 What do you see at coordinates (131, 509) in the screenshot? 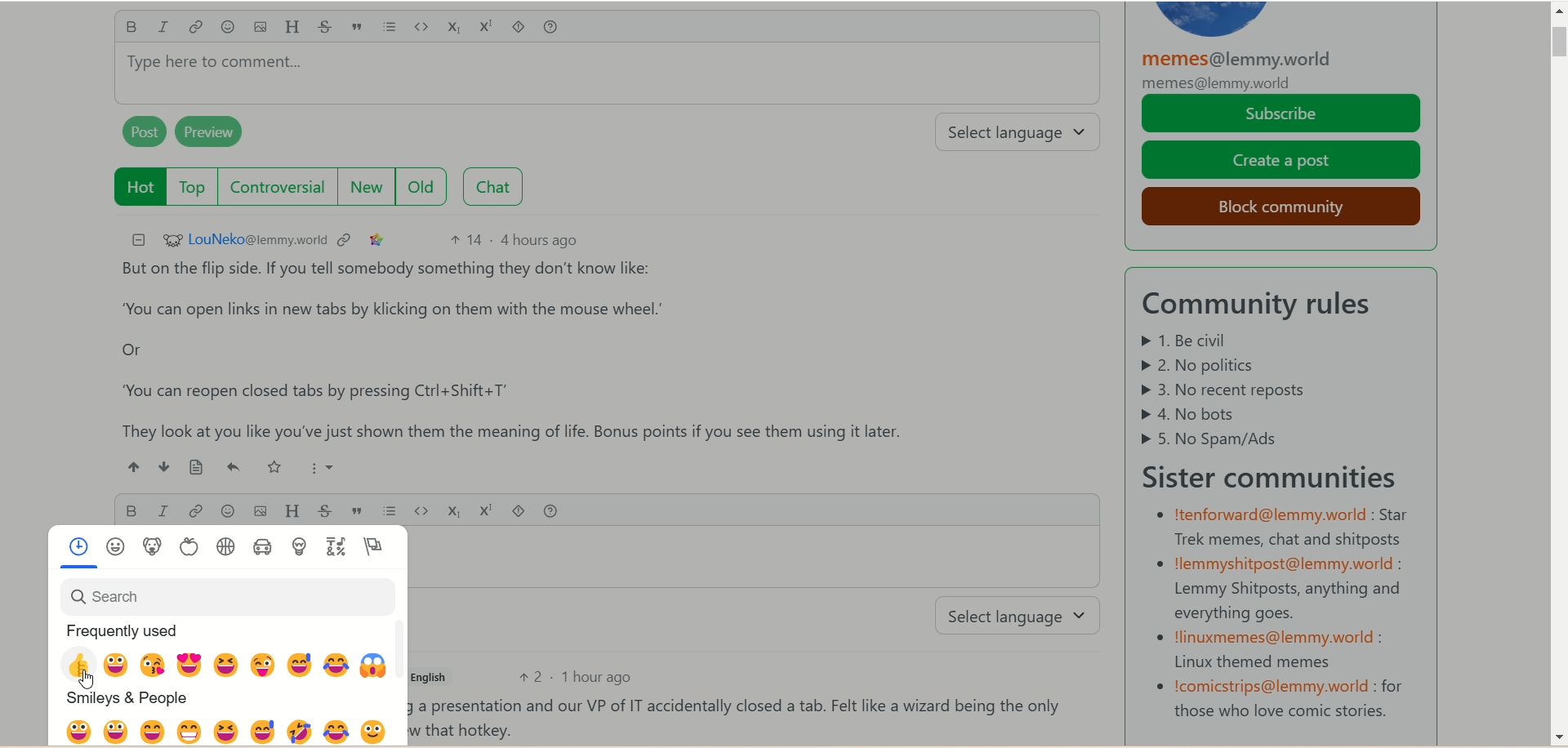
I see `bold` at bounding box center [131, 509].